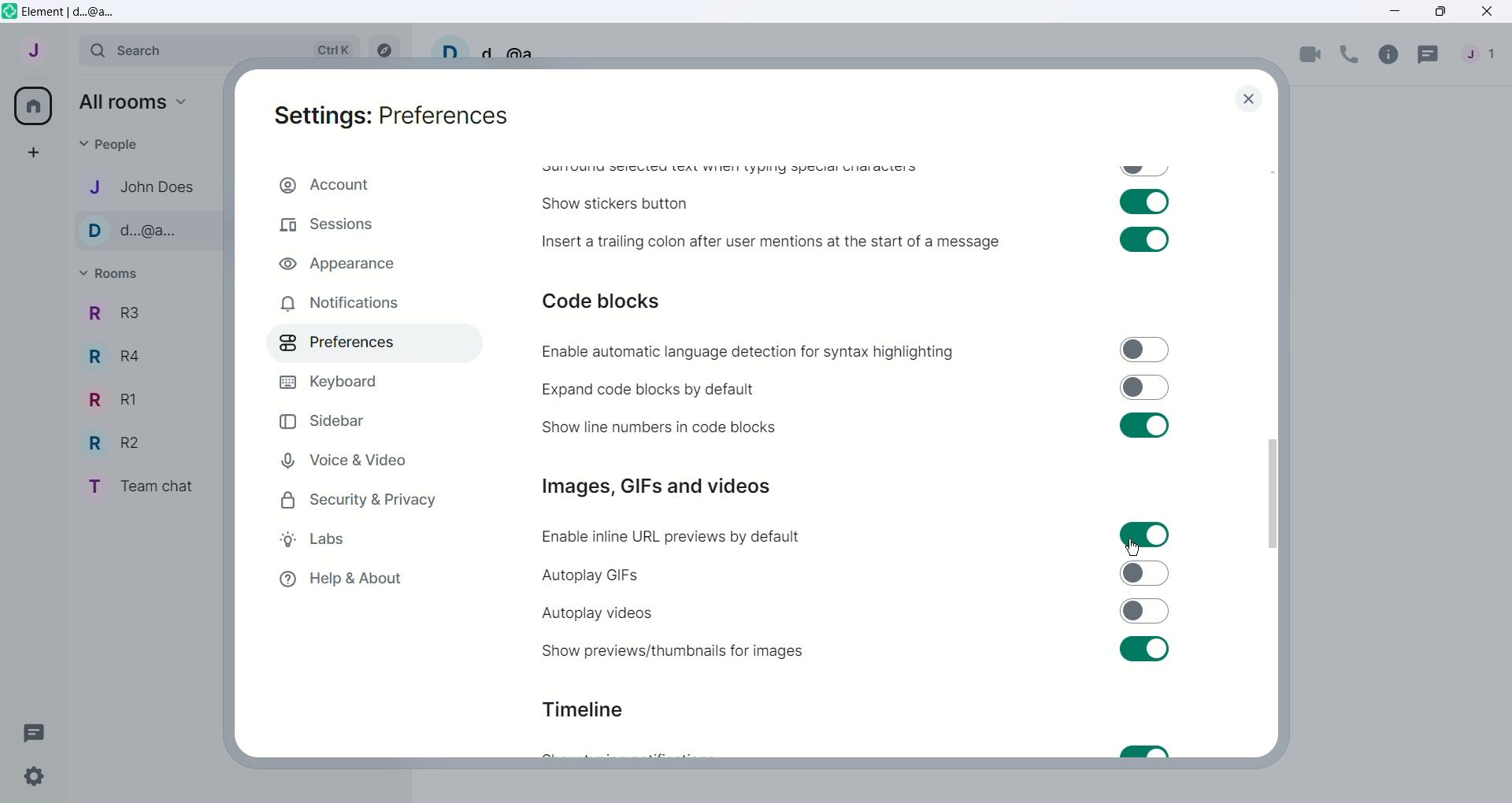 This screenshot has height=803, width=1512. What do you see at coordinates (391, 117) in the screenshot?
I see `Settings: Preferences` at bounding box center [391, 117].